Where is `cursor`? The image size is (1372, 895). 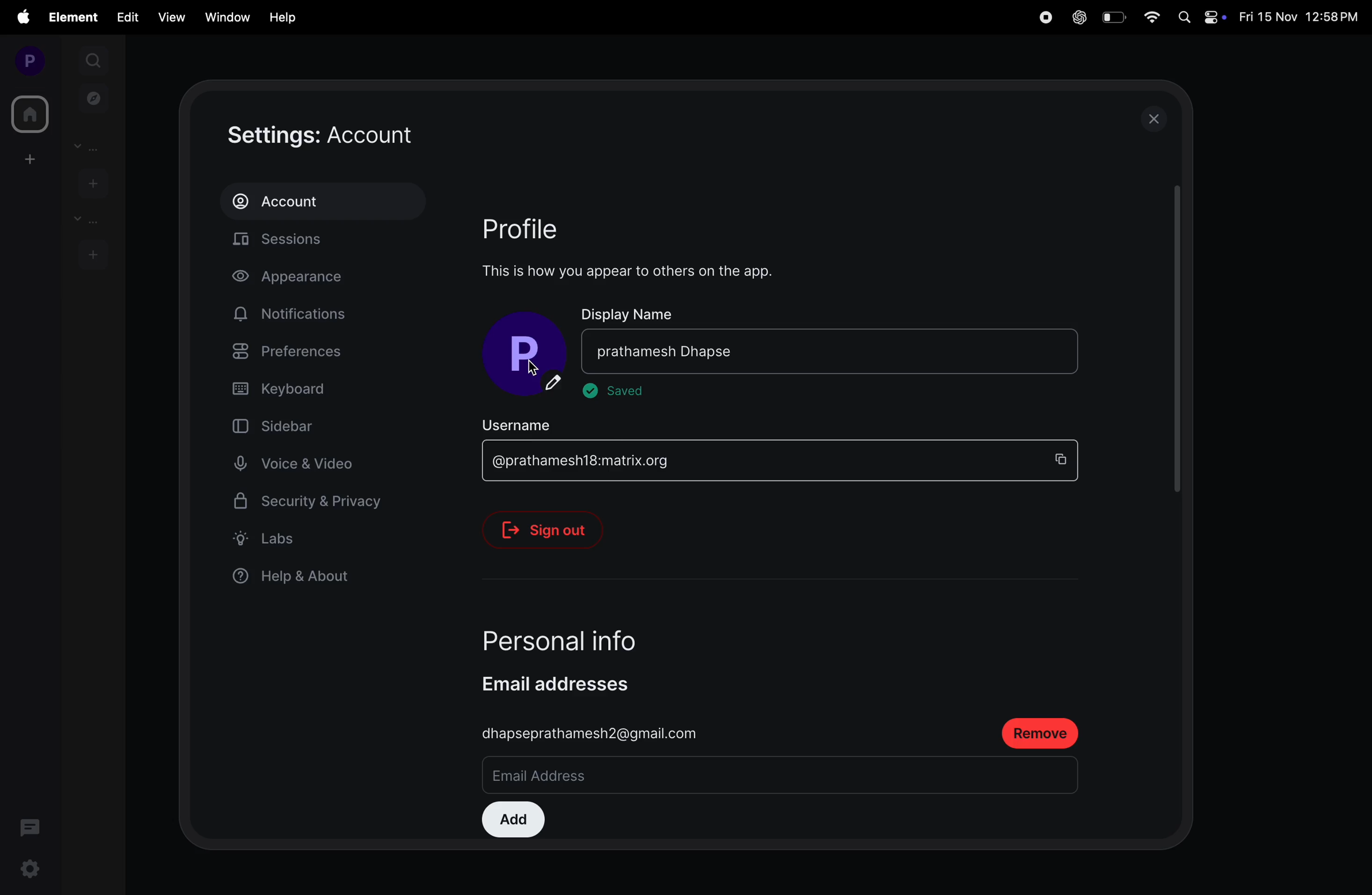
cursor is located at coordinates (538, 373).